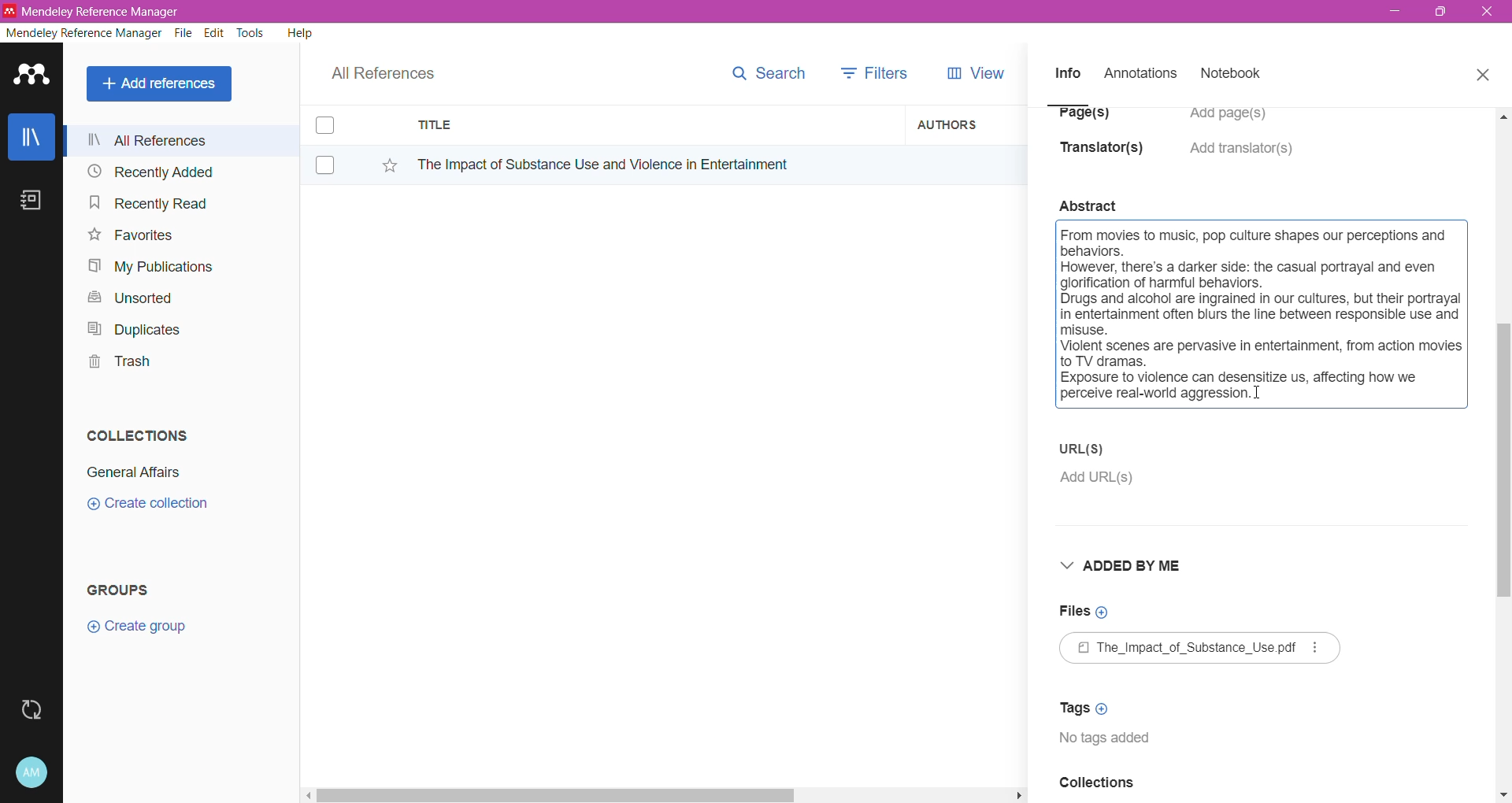 Image resolution: width=1512 pixels, height=803 pixels. I want to click on My Publications, so click(149, 267).